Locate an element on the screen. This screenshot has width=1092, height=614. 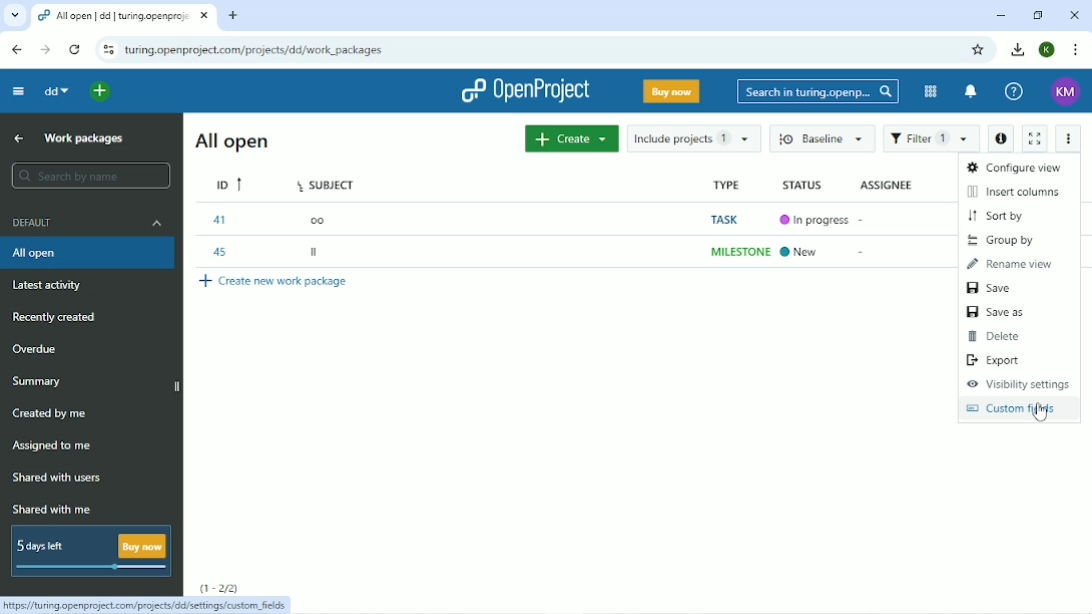
Customize and control google chrome is located at coordinates (1078, 50).